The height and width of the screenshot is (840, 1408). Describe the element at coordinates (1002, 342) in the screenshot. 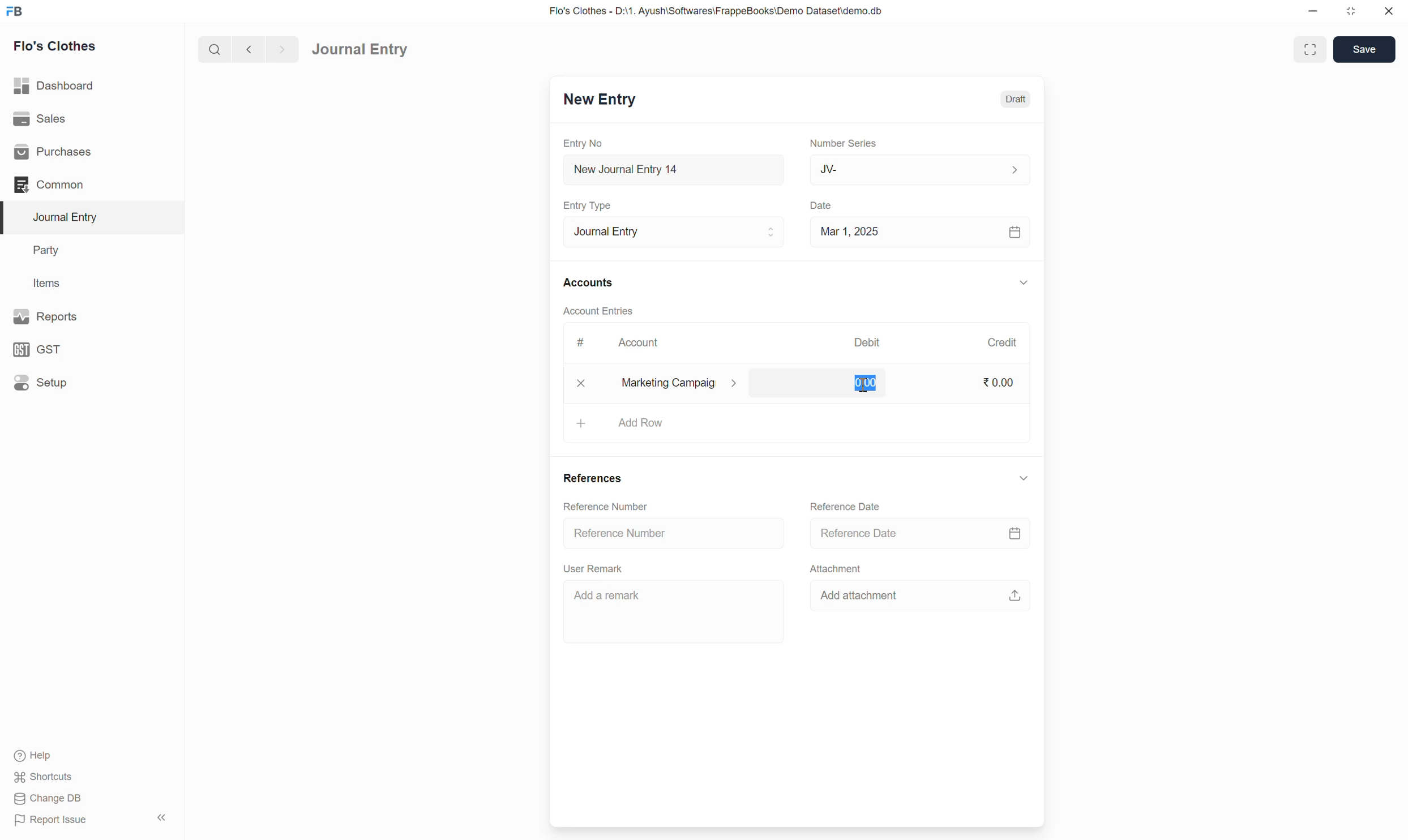

I see `Credit` at that location.